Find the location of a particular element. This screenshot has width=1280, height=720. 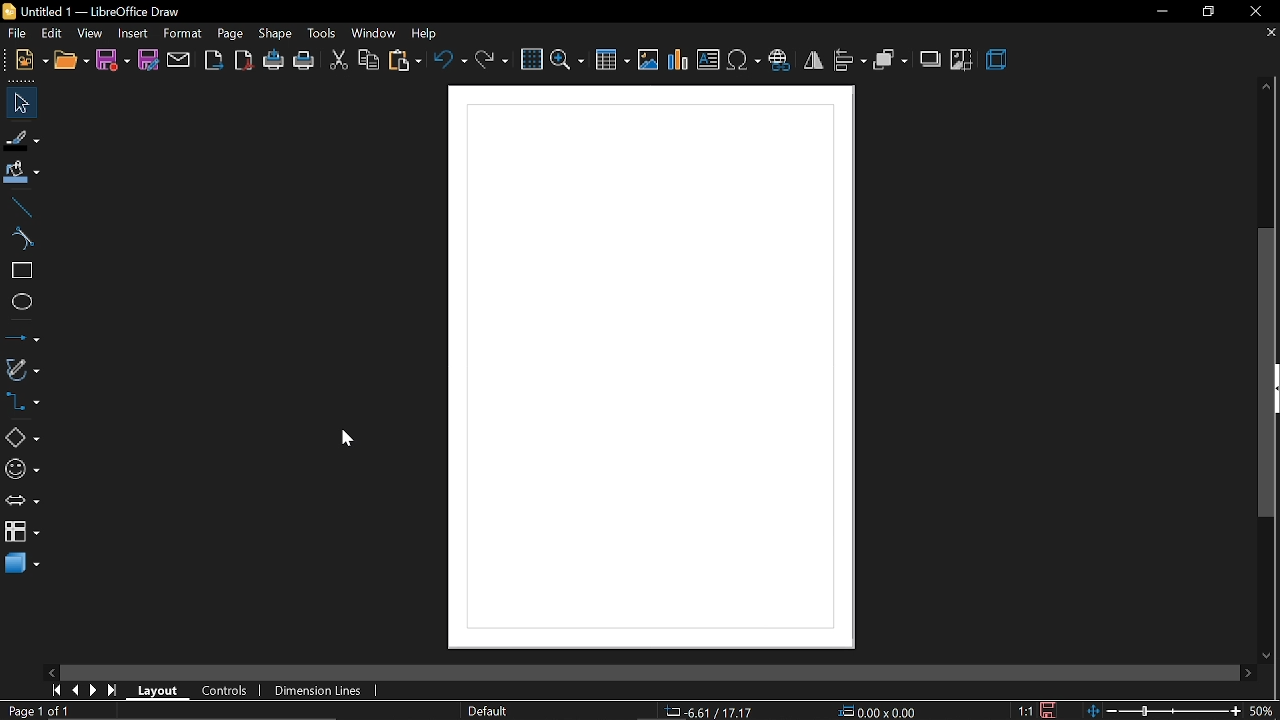

0.00 x 0.00 - position is located at coordinates (879, 710).